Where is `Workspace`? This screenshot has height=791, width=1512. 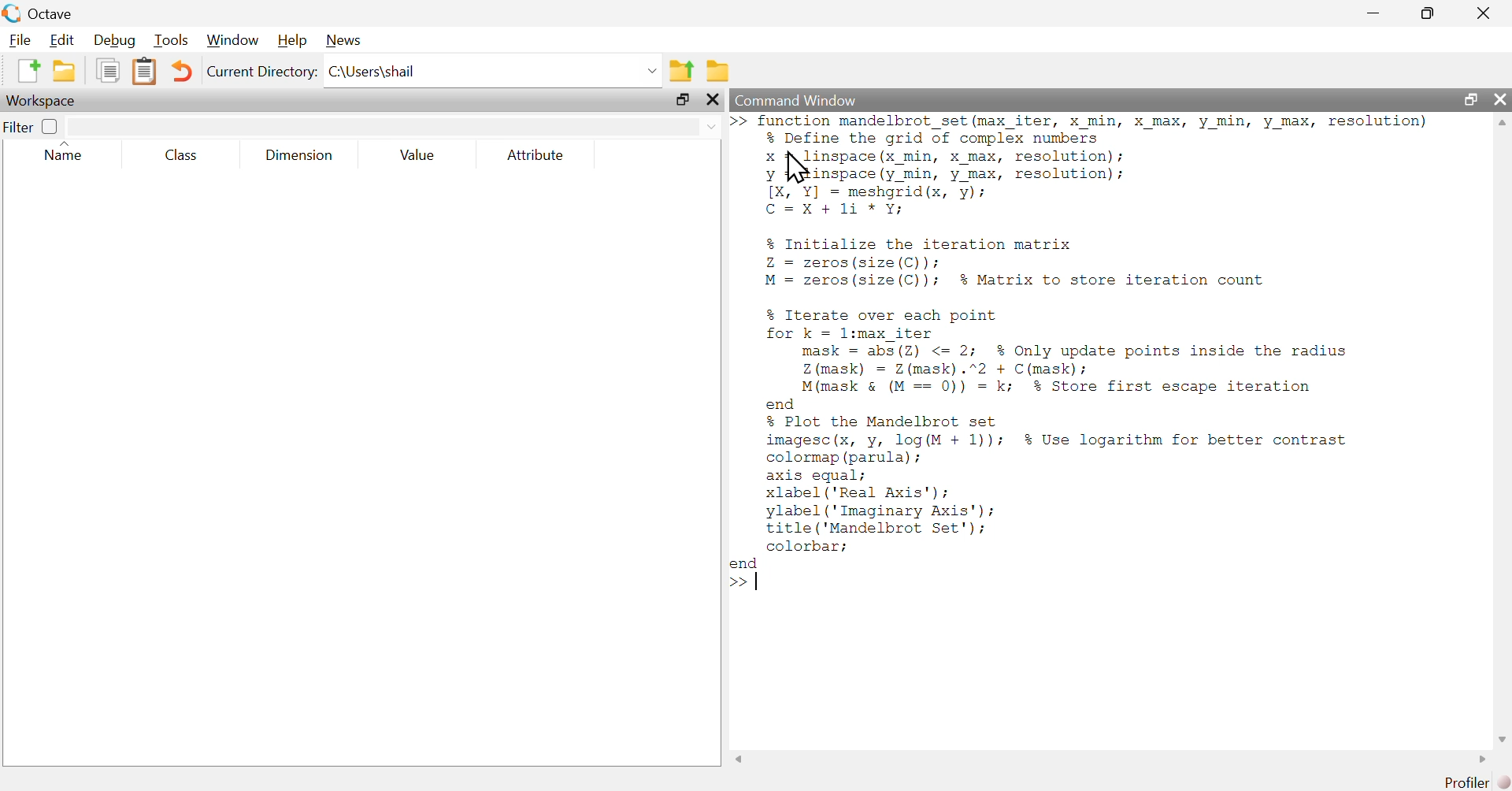 Workspace is located at coordinates (46, 101).